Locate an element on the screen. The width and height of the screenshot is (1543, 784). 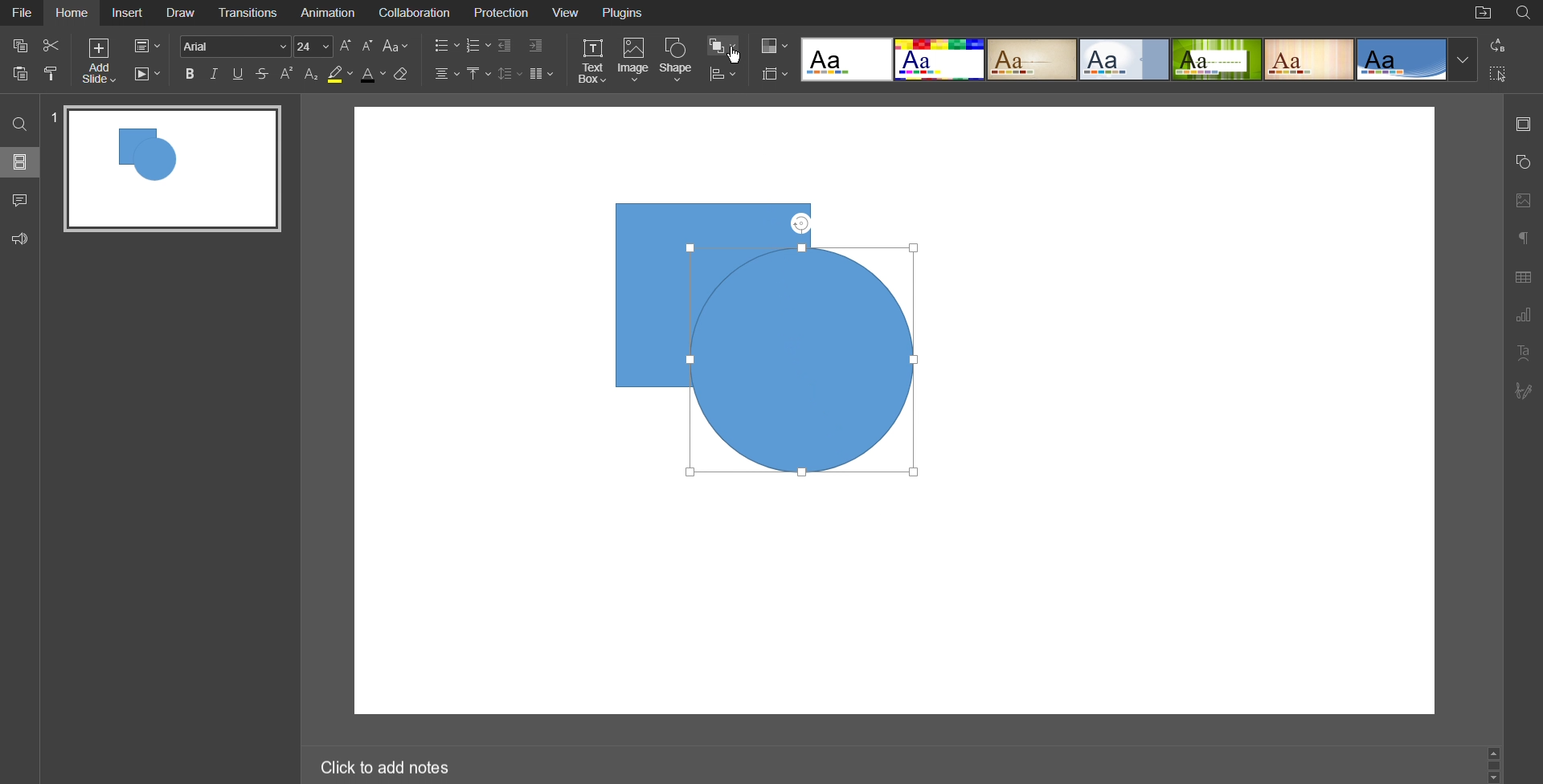
Collaboration is located at coordinates (412, 13).